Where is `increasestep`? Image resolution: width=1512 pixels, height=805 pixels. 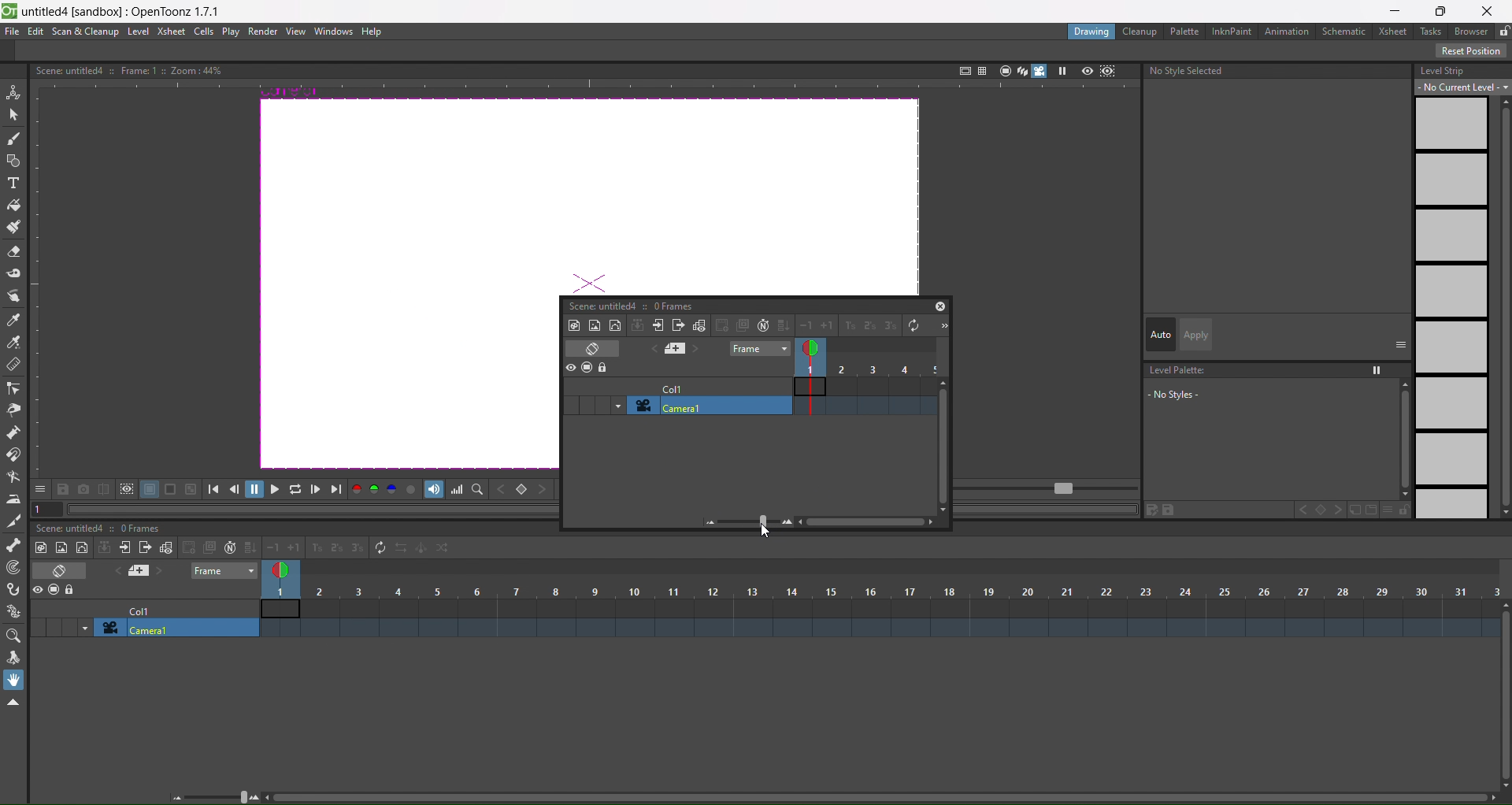 increasestep is located at coordinates (314, 546).